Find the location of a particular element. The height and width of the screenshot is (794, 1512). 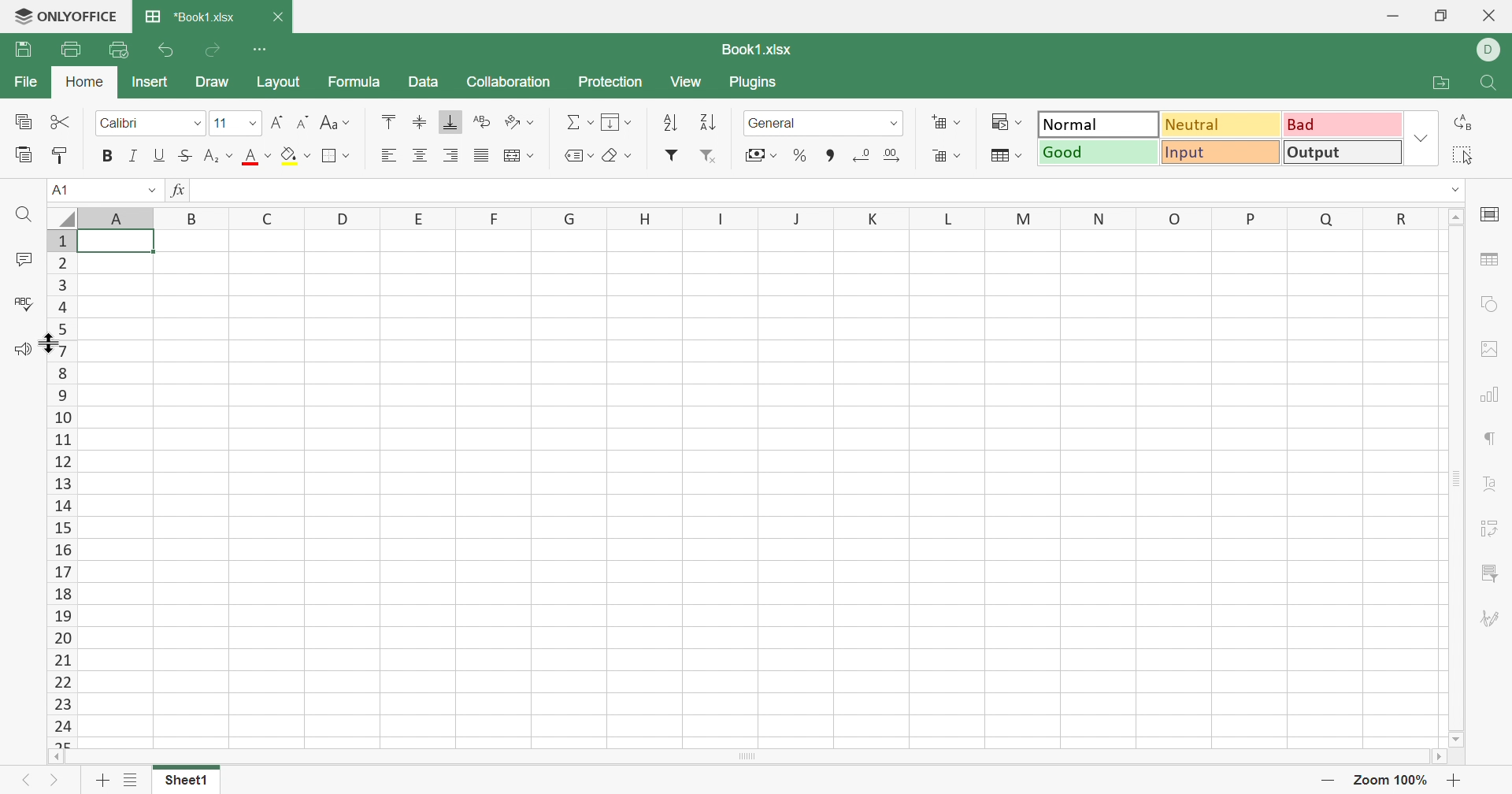

fx is located at coordinates (176, 189).